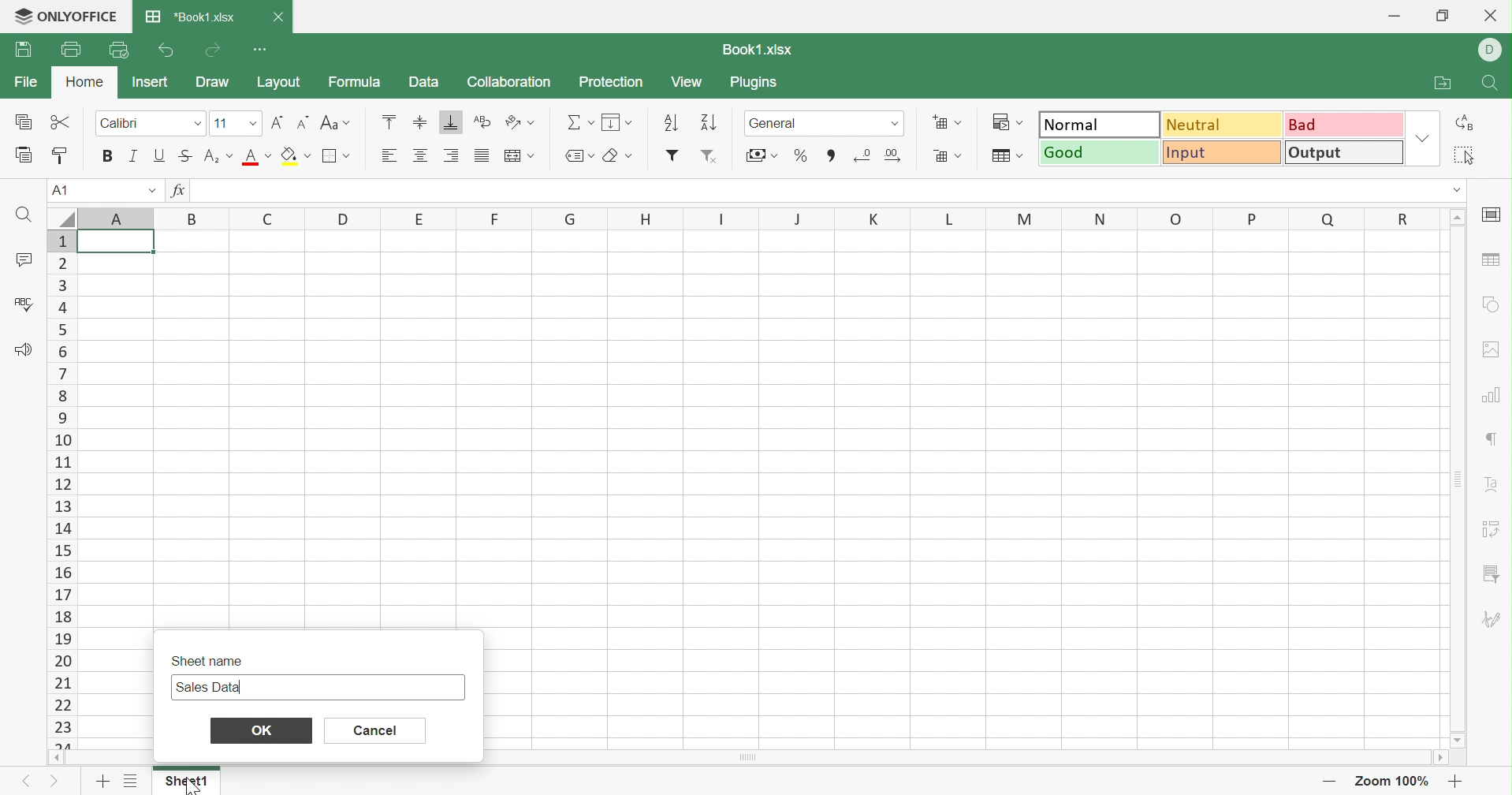 The width and height of the screenshot is (1512, 795). I want to click on Align Left, so click(389, 154).